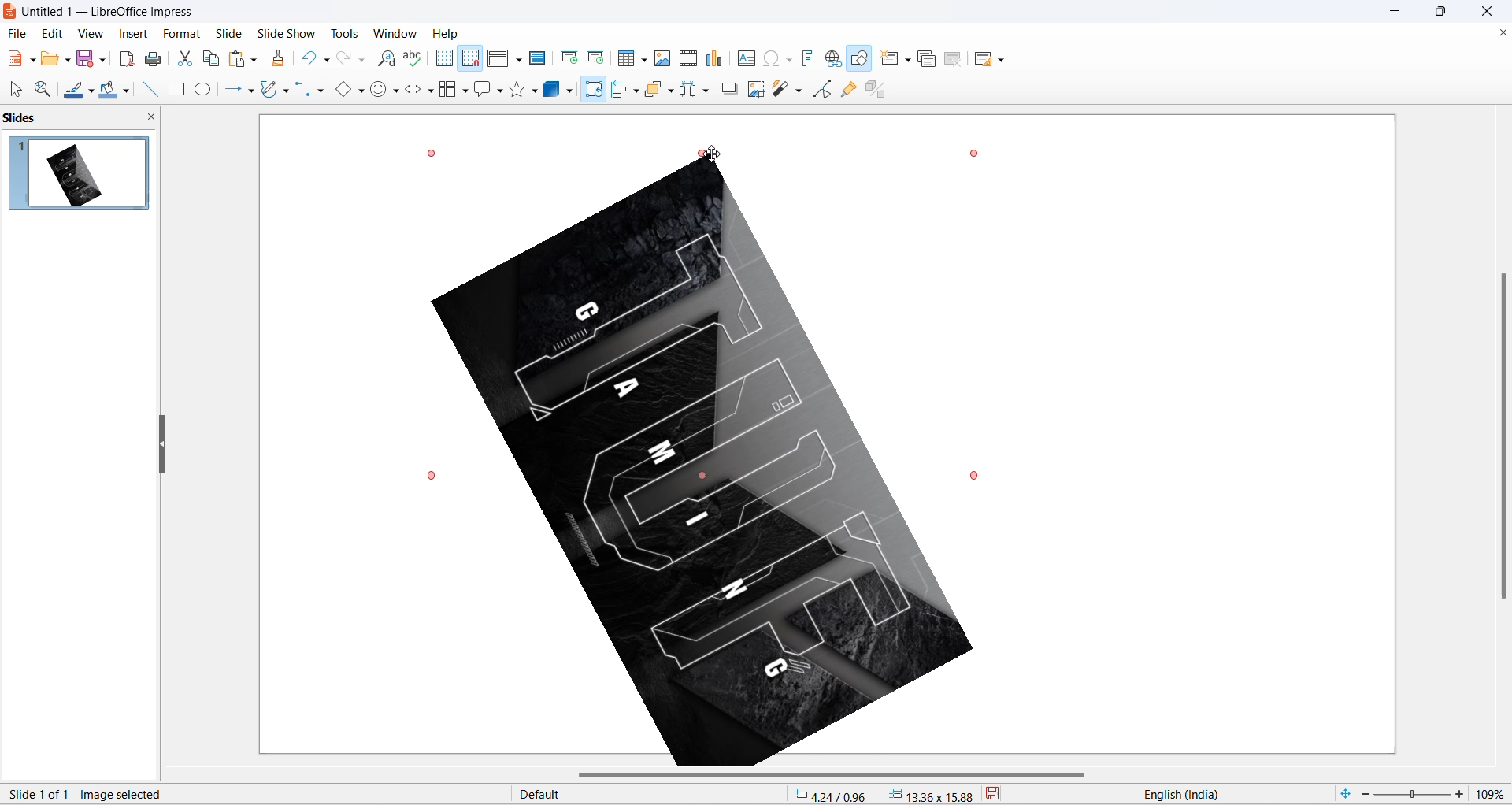 This screenshot has width=1512, height=805. What do you see at coordinates (344, 59) in the screenshot?
I see `redo` at bounding box center [344, 59].